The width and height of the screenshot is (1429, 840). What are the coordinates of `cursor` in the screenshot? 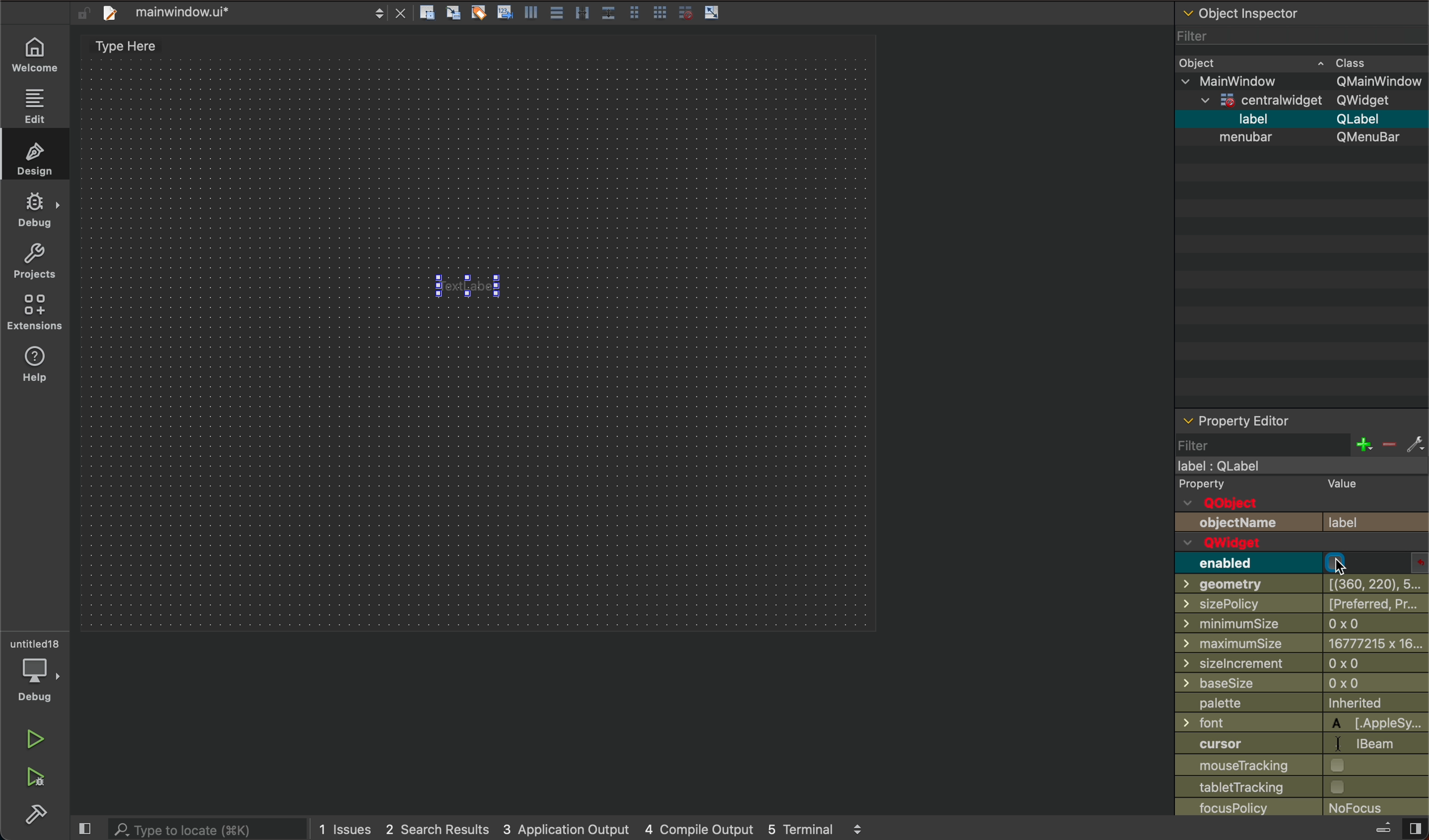 It's located at (1345, 568).